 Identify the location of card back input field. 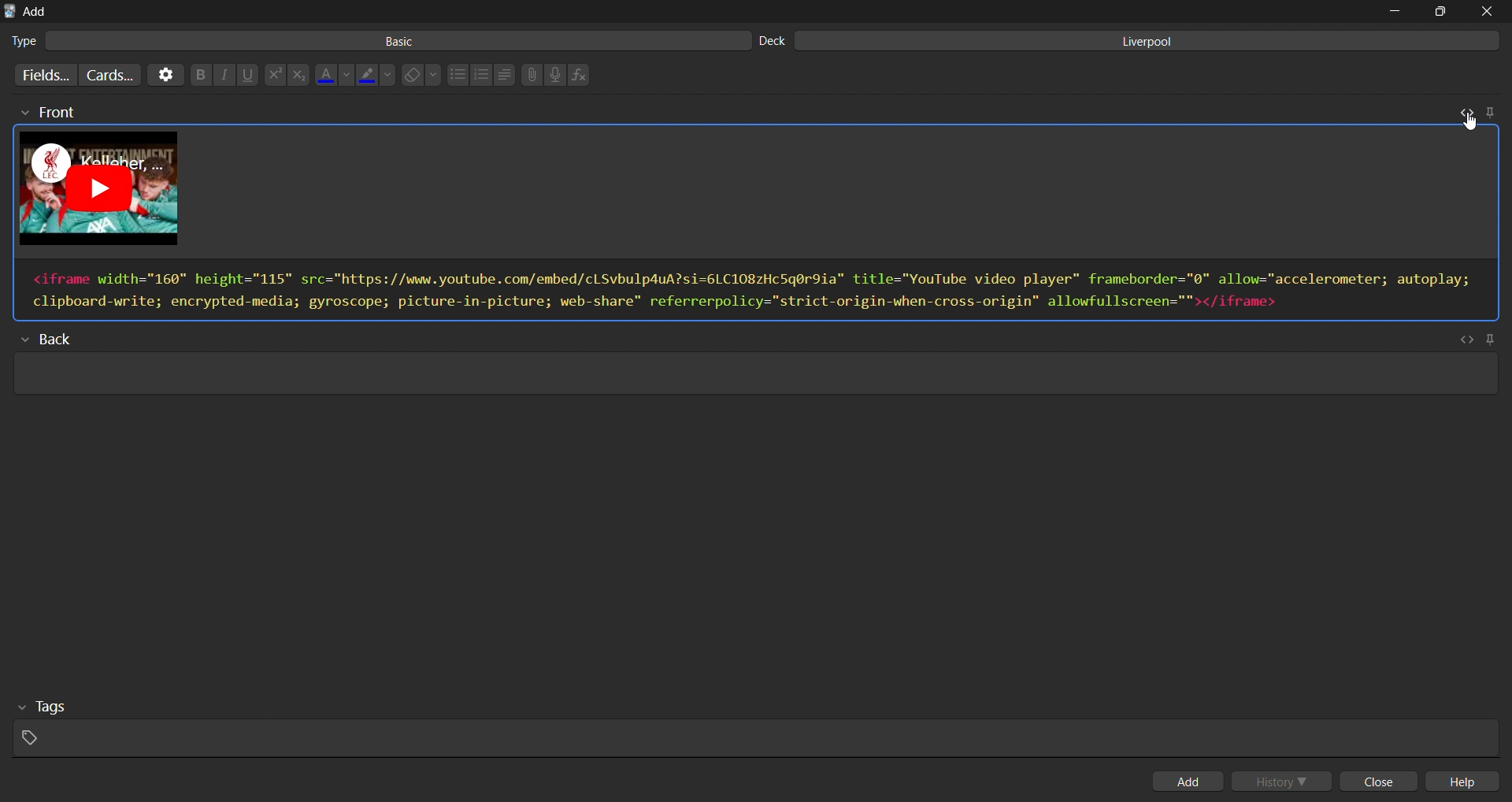
(760, 376).